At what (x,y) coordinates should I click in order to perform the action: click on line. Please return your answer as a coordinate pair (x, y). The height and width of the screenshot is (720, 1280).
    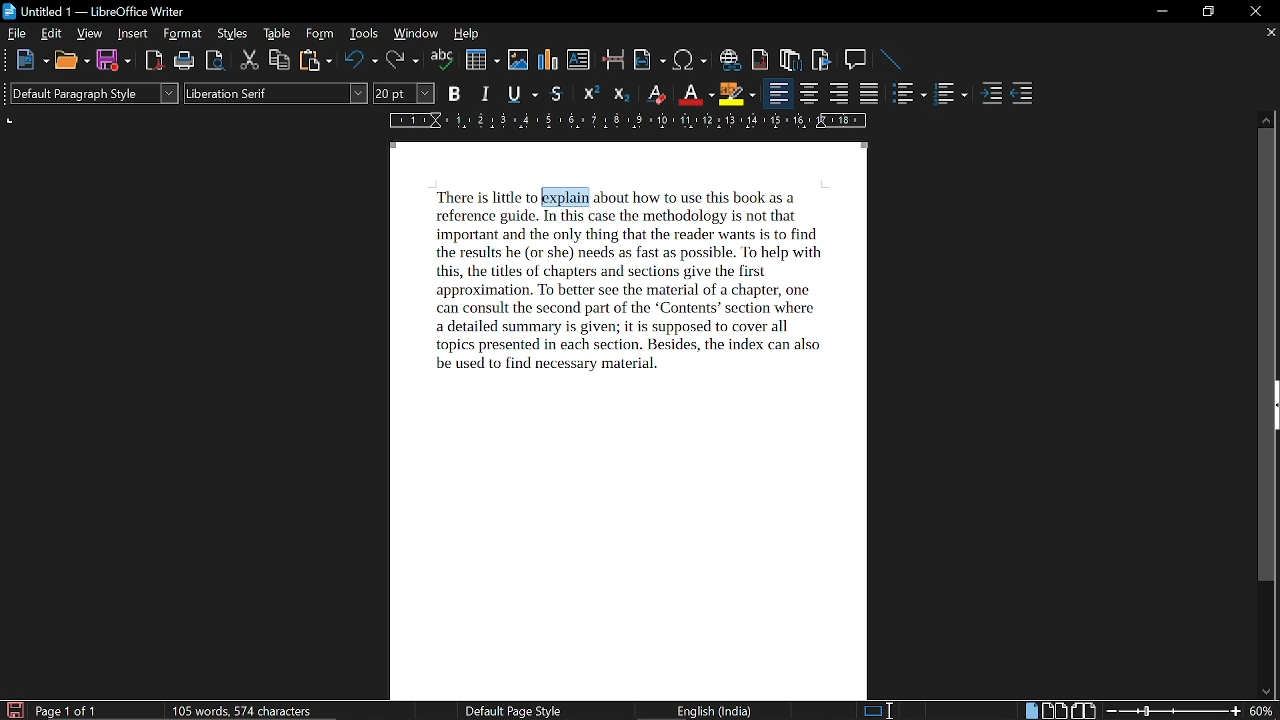
    Looking at the image, I should click on (890, 59).